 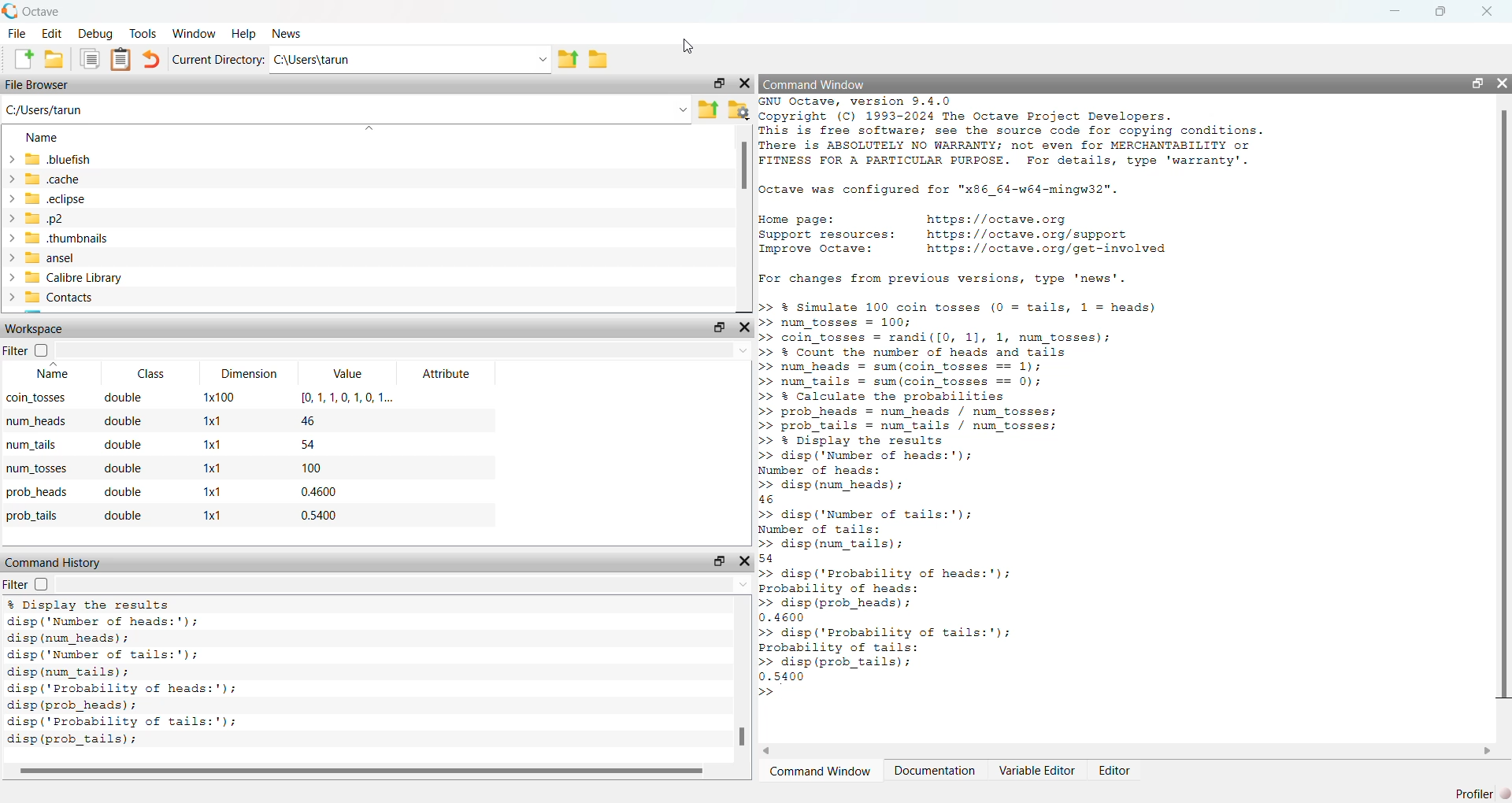 What do you see at coordinates (91, 59) in the screenshot?
I see `Duplicate` at bounding box center [91, 59].